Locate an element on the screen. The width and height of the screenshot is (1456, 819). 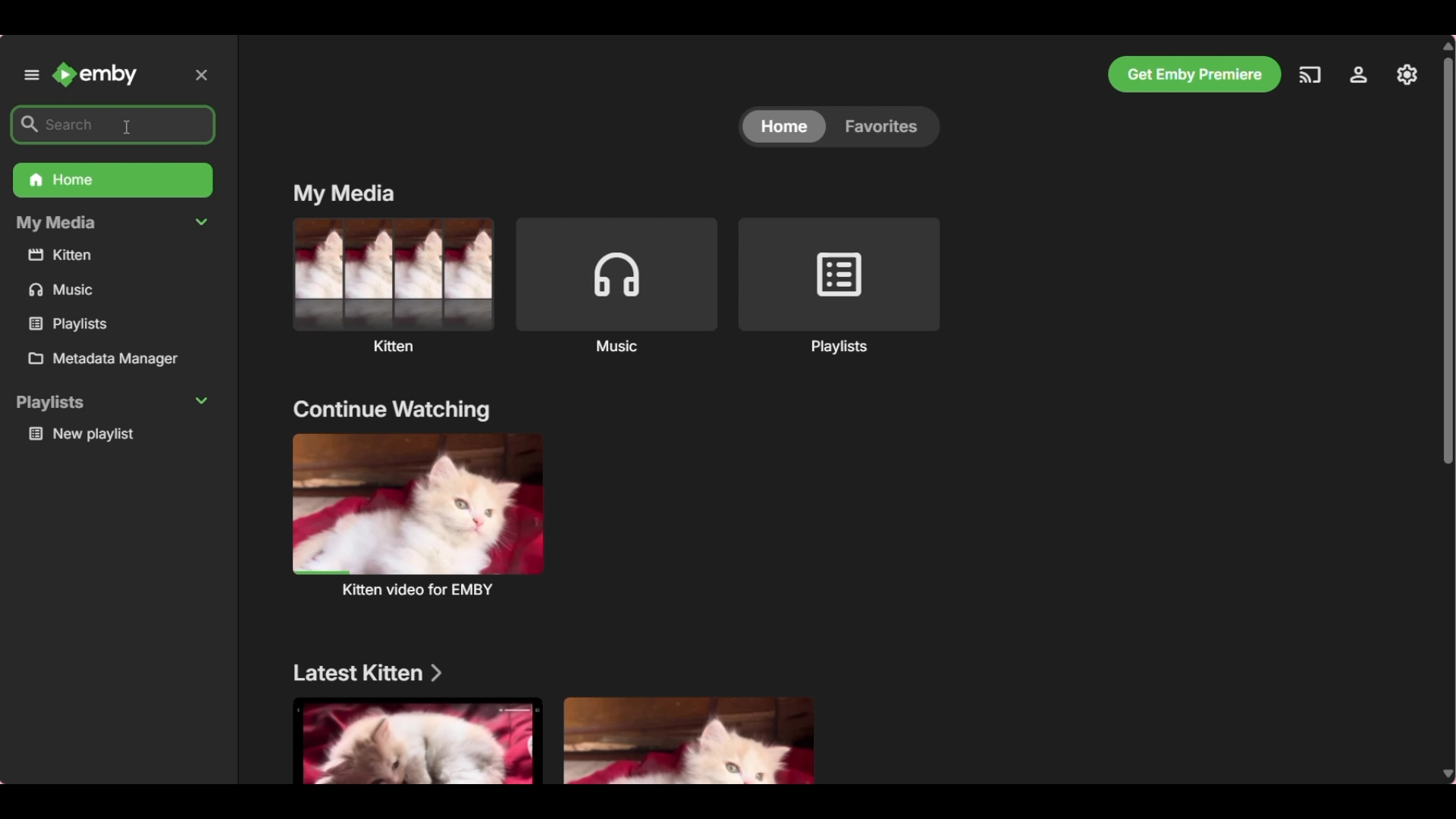
New playlist is located at coordinates (118, 434).